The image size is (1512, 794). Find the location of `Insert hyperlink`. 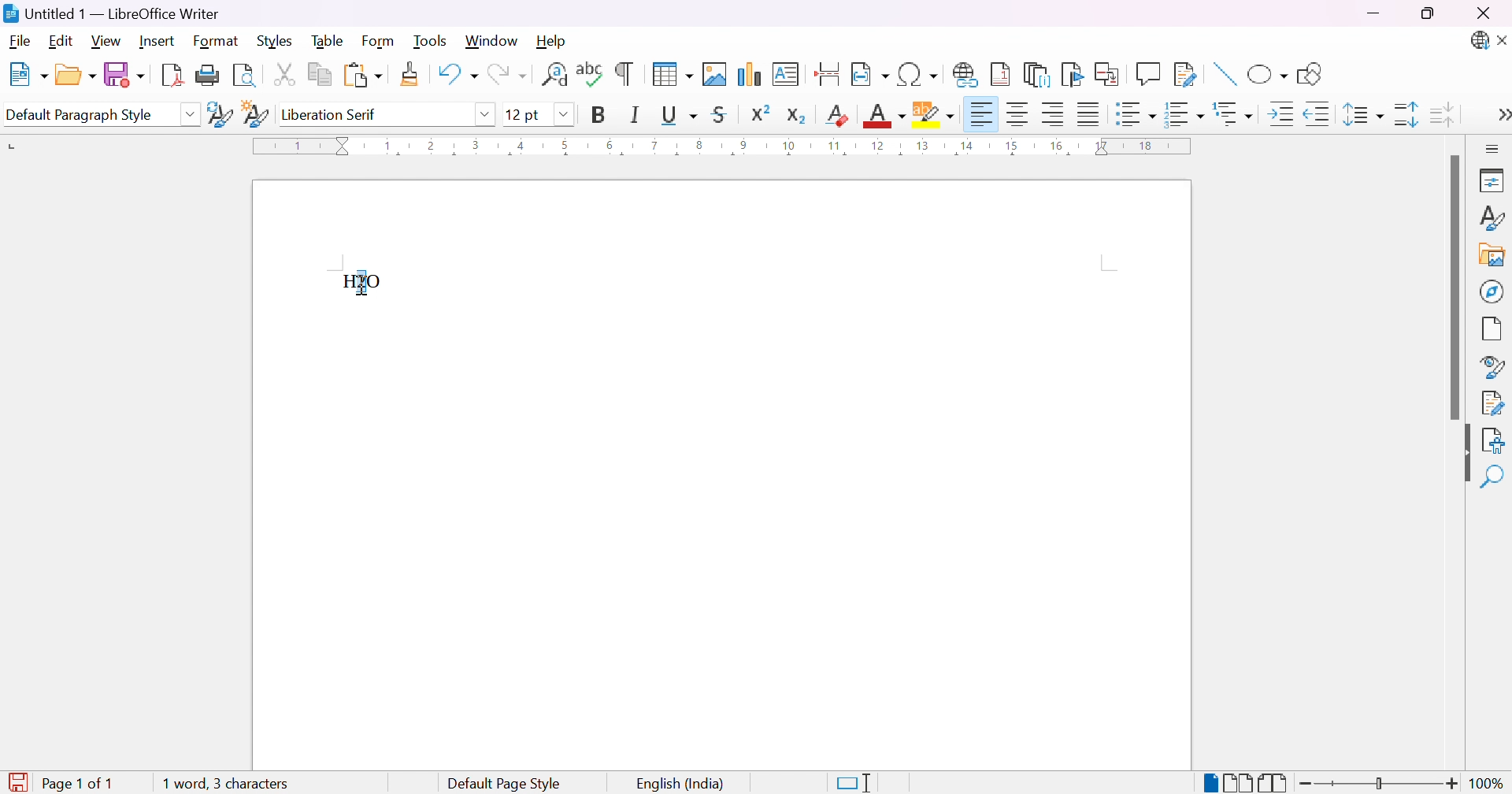

Insert hyperlink is located at coordinates (966, 74).